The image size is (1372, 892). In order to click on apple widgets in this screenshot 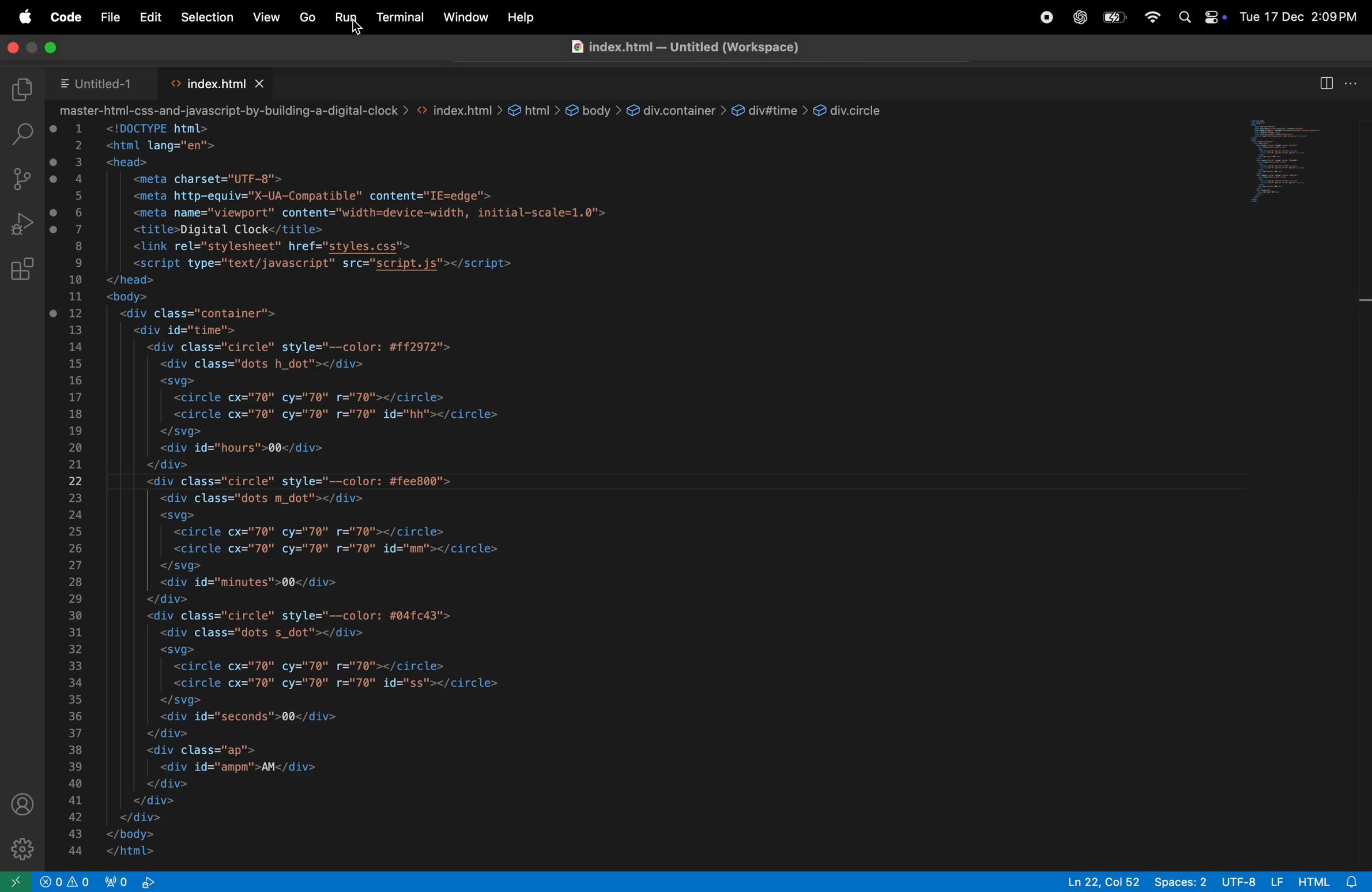, I will do `click(1213, 17)`.